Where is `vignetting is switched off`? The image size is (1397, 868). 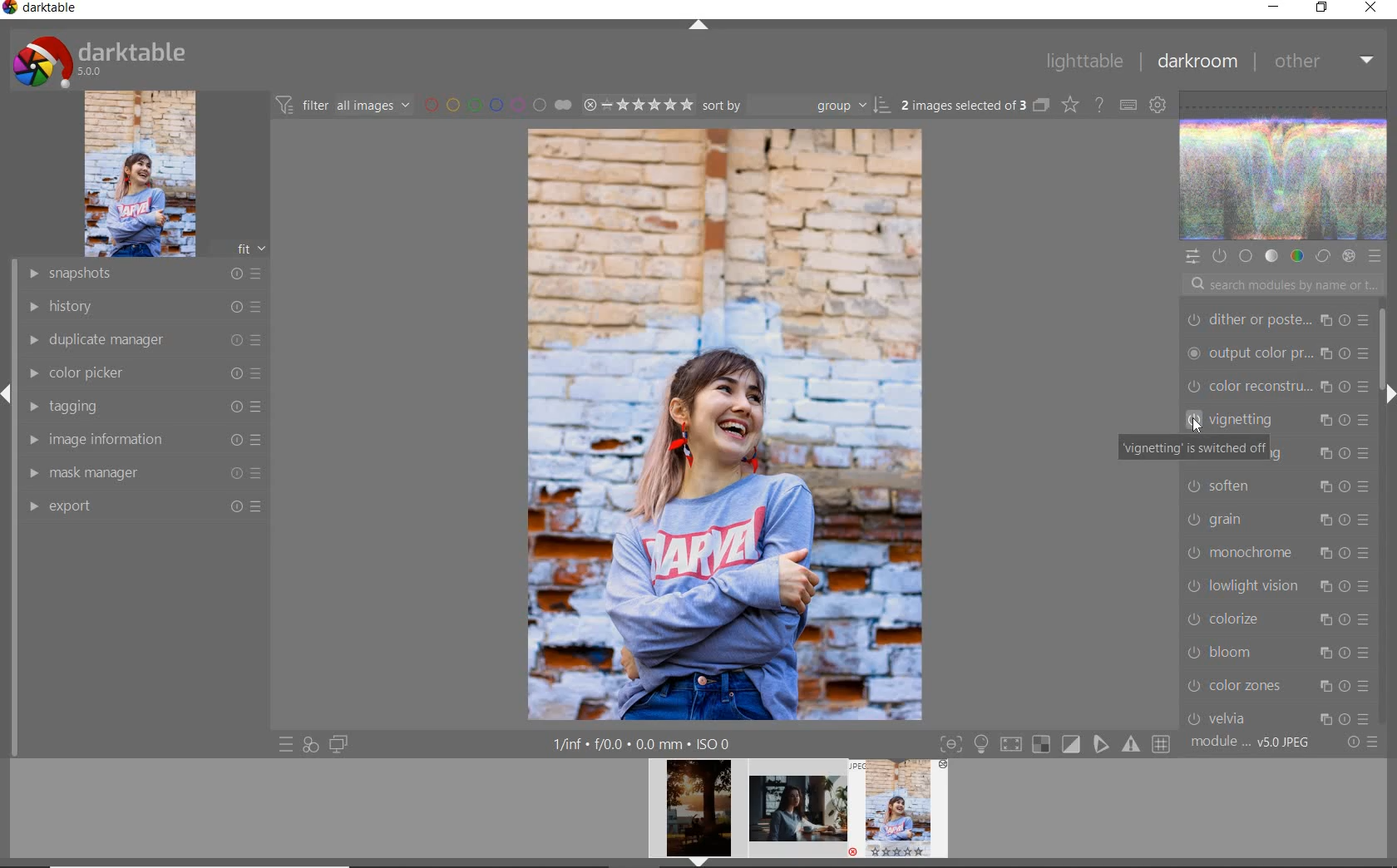
vignetting is switched off is located at coordinates (1192, 450).